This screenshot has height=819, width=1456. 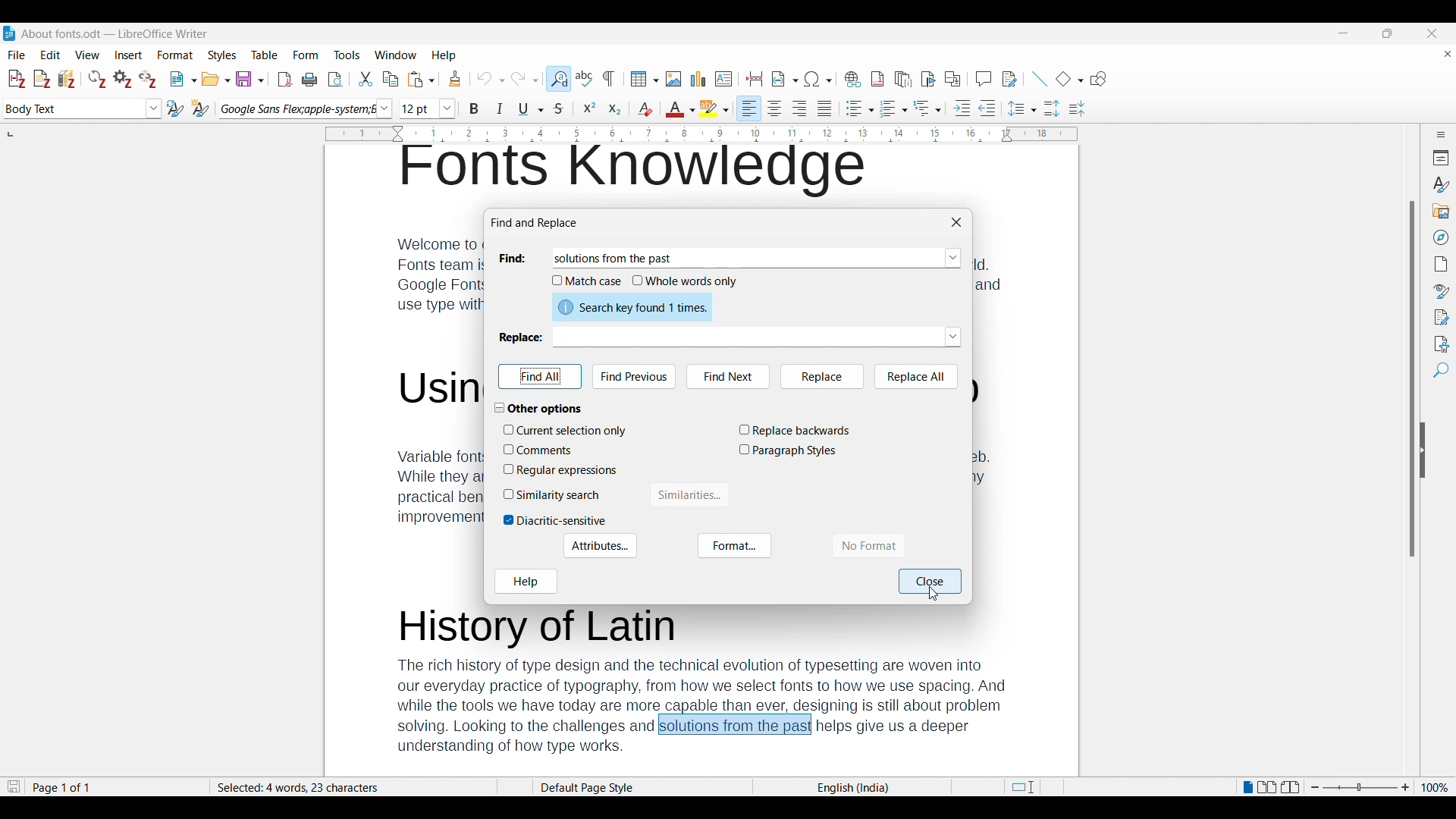 I want to click on Underline options, so click(x=532, y=109).